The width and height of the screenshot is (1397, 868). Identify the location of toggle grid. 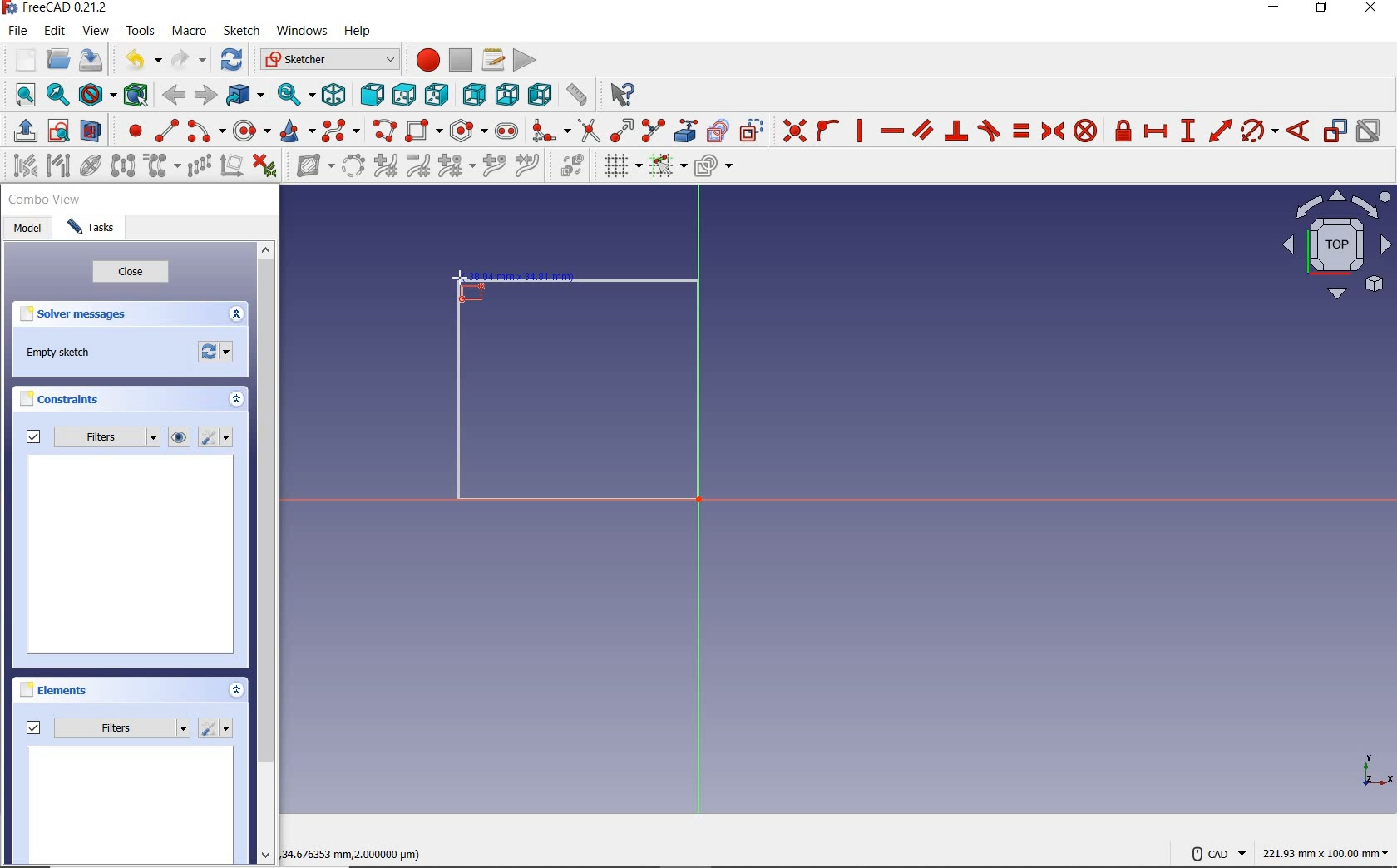
(621, 167).